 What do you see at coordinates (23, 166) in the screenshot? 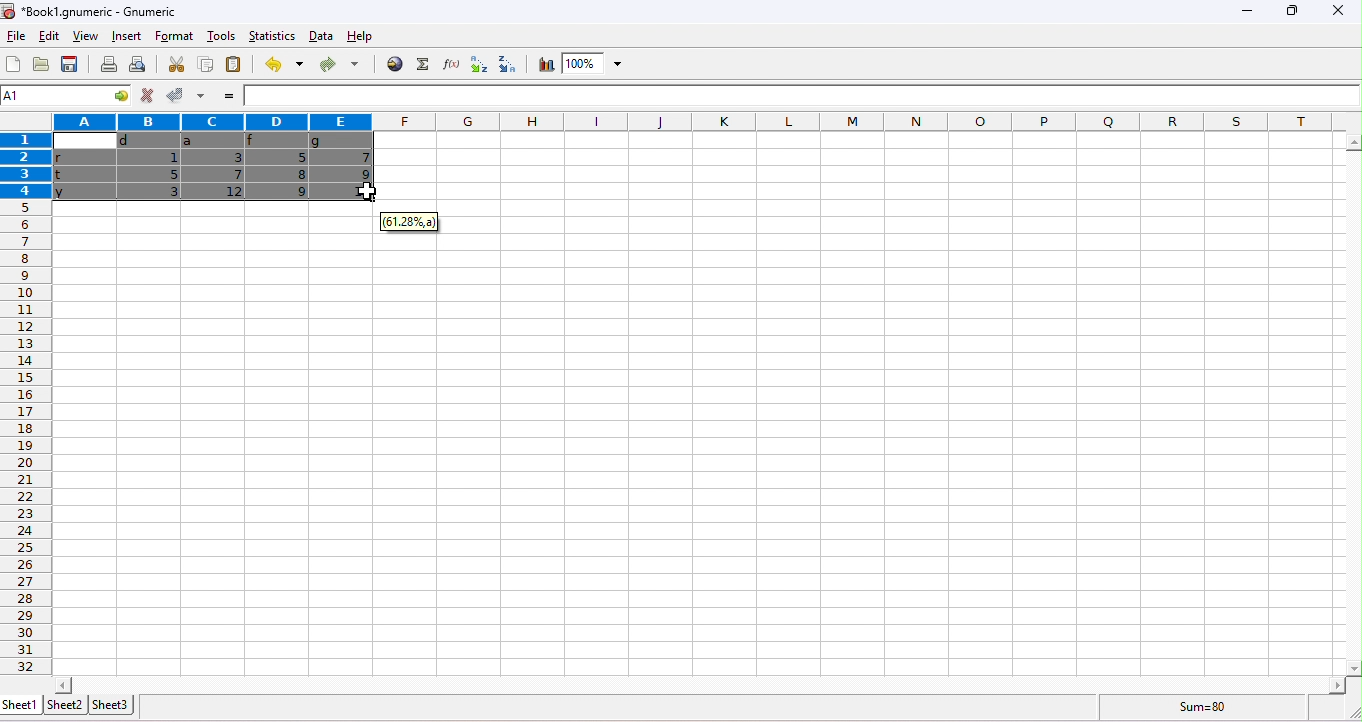
I see `rows` at bounding box center [23, 166].